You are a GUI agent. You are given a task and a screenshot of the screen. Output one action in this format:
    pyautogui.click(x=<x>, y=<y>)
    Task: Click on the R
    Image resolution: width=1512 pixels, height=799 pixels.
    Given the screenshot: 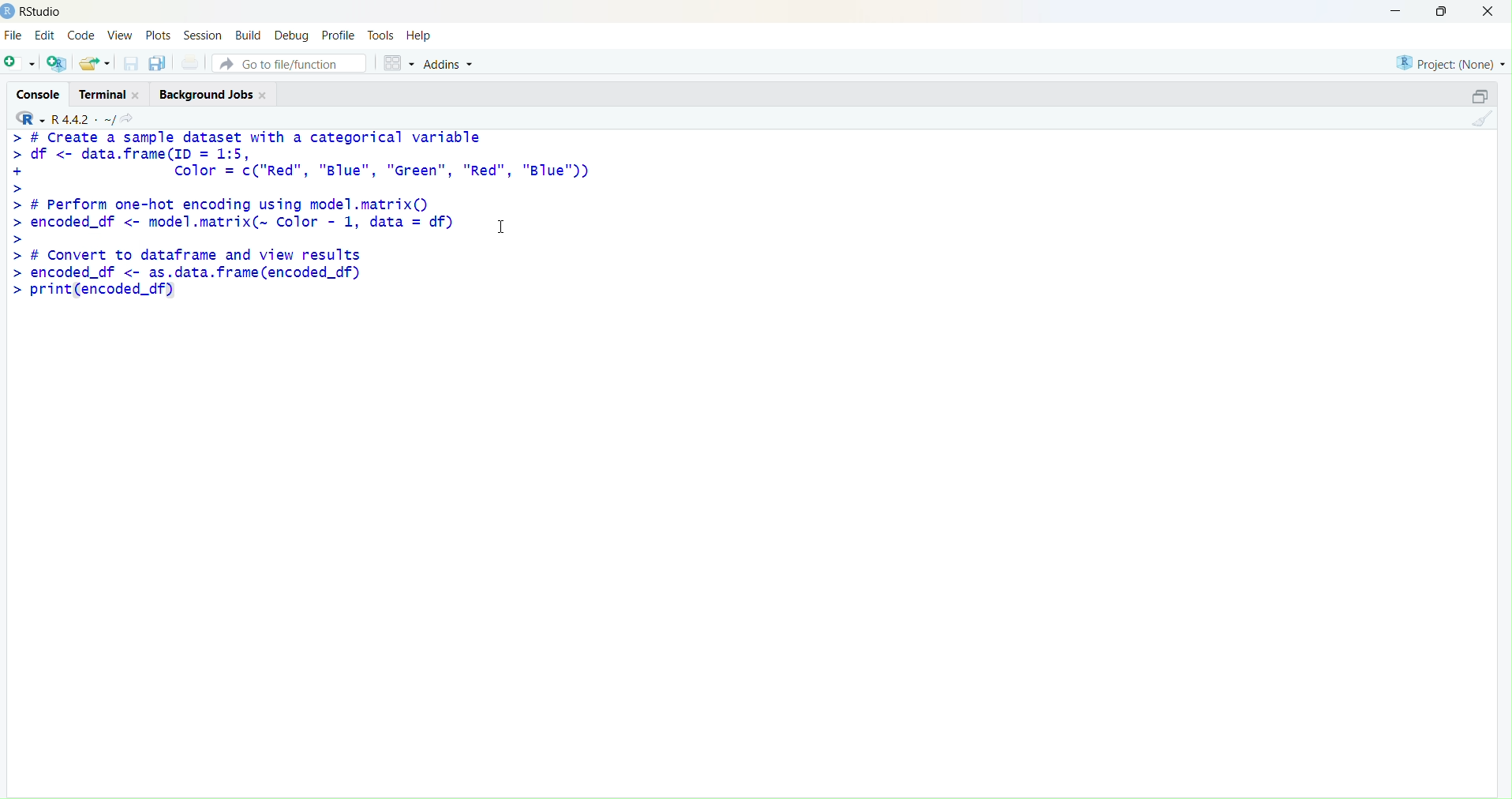 What is the action you would take?
    pyautogui.click(x=31, y=118)
    